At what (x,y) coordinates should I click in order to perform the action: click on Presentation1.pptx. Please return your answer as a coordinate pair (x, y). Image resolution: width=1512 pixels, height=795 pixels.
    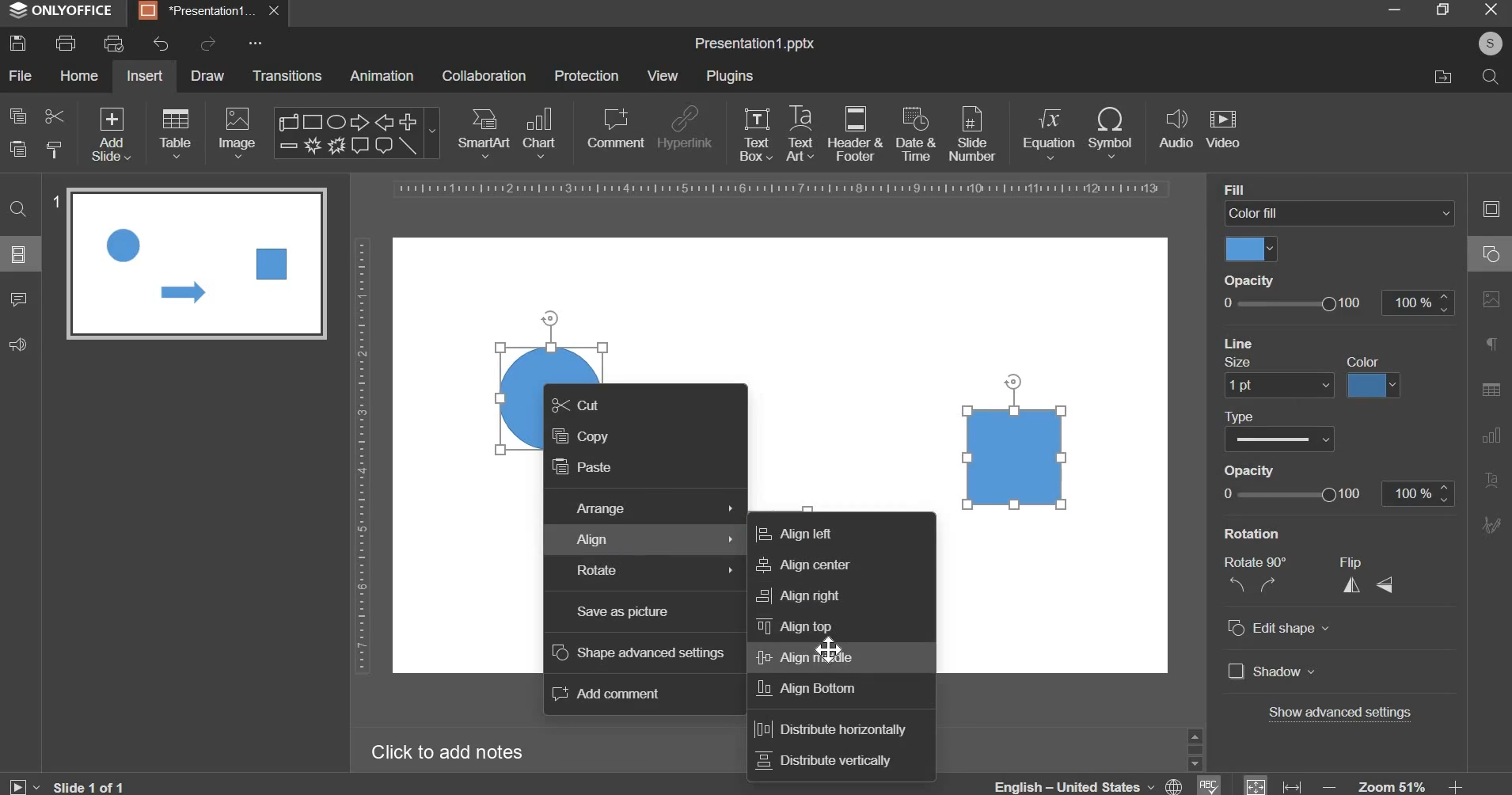
    Looking at the image, I should click on (754, 44).